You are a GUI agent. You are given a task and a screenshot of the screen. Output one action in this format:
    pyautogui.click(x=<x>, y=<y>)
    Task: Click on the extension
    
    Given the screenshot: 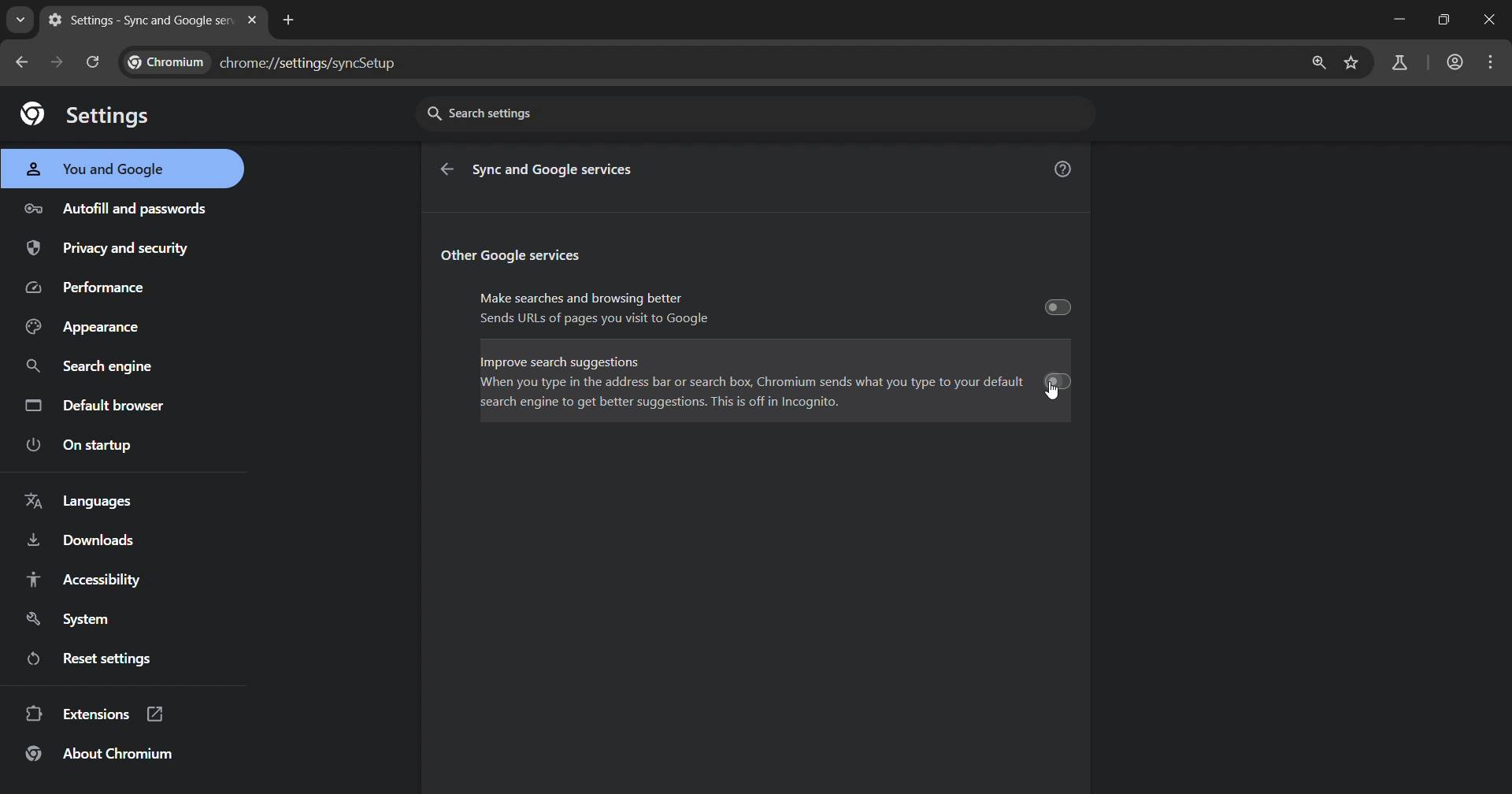 What is the action you would take?
    pyautogui.click(x=98, y=714)
    